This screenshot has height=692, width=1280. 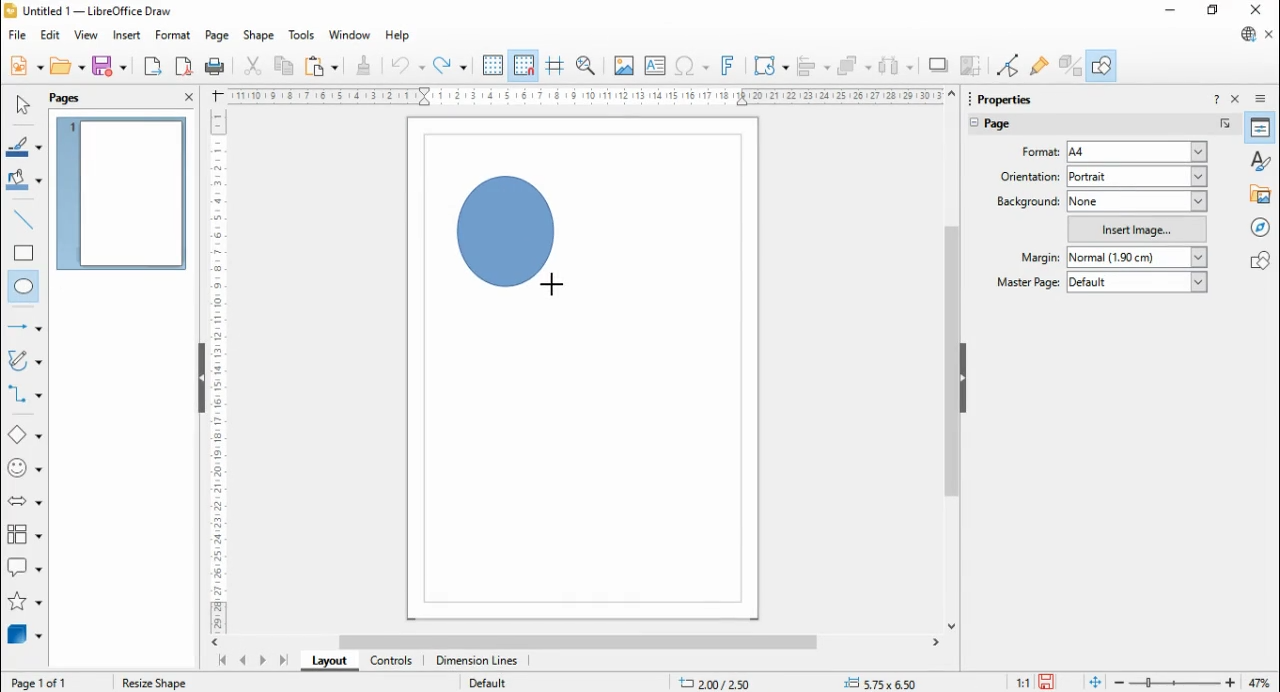 I want to click on line color, so click(x=26, y=146).